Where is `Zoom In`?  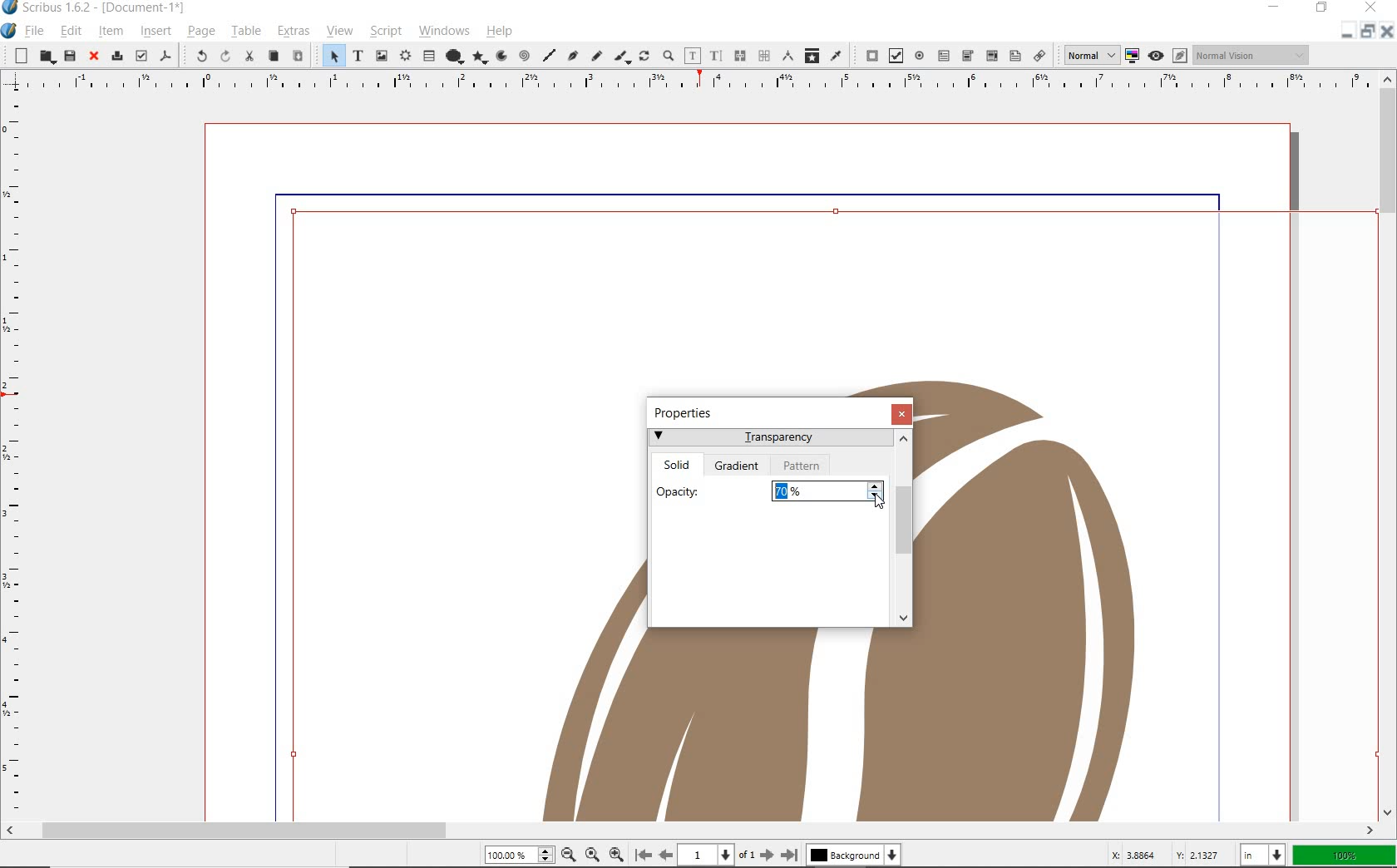
Zoom In is located at coordinates (616, 856).